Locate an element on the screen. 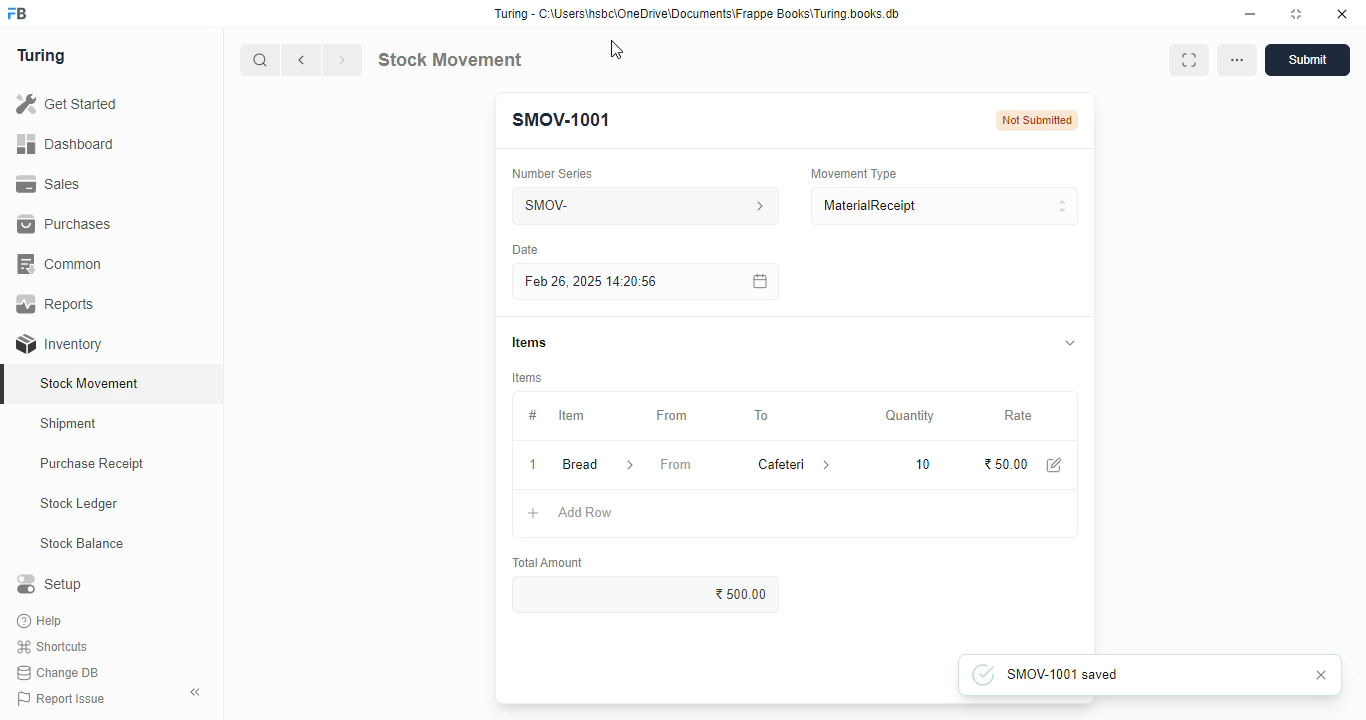 The height and width of the screenshot is (720, 1366). total amount is located at coordinates (549, 563).